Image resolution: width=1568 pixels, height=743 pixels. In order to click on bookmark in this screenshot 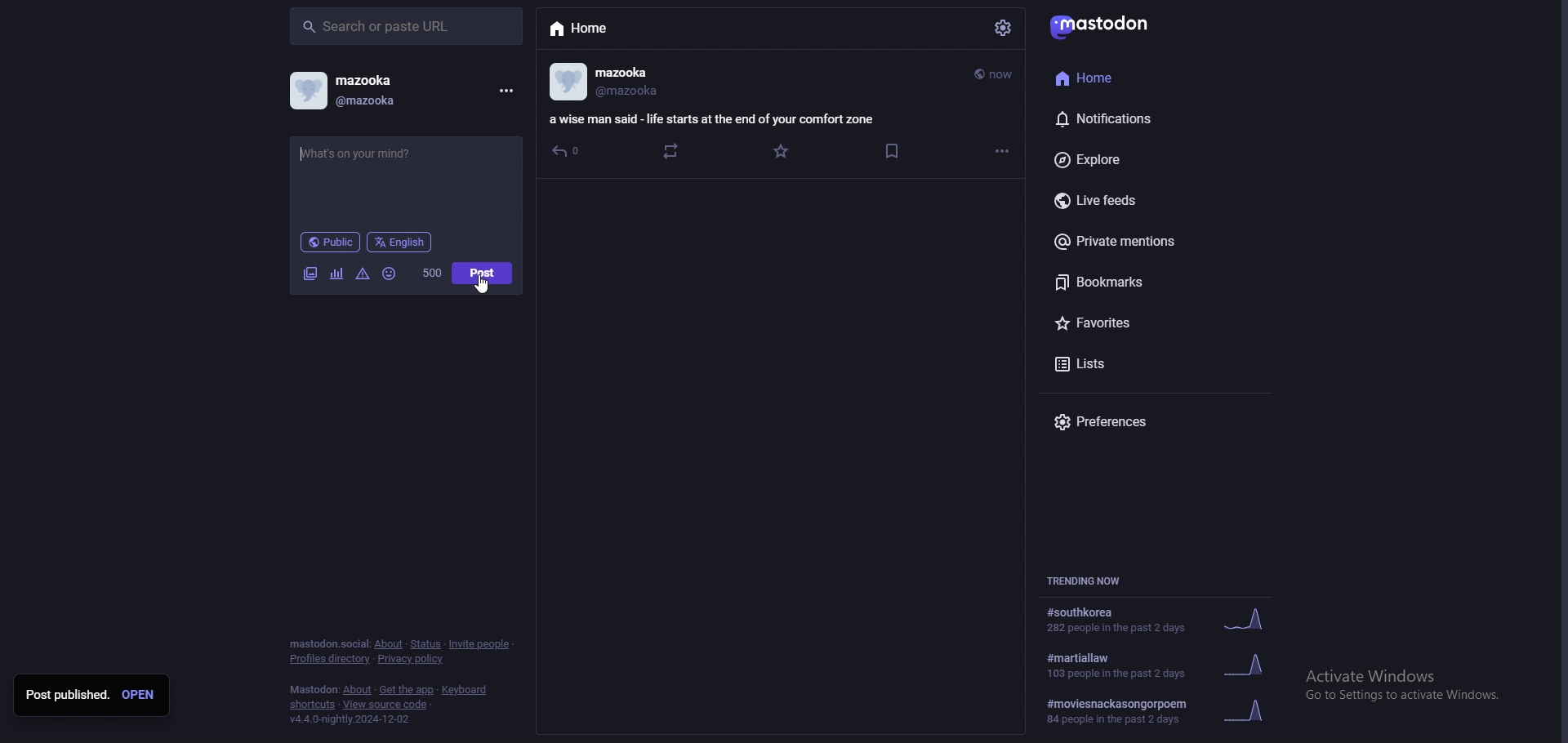, I will do `click(892, 151)`.